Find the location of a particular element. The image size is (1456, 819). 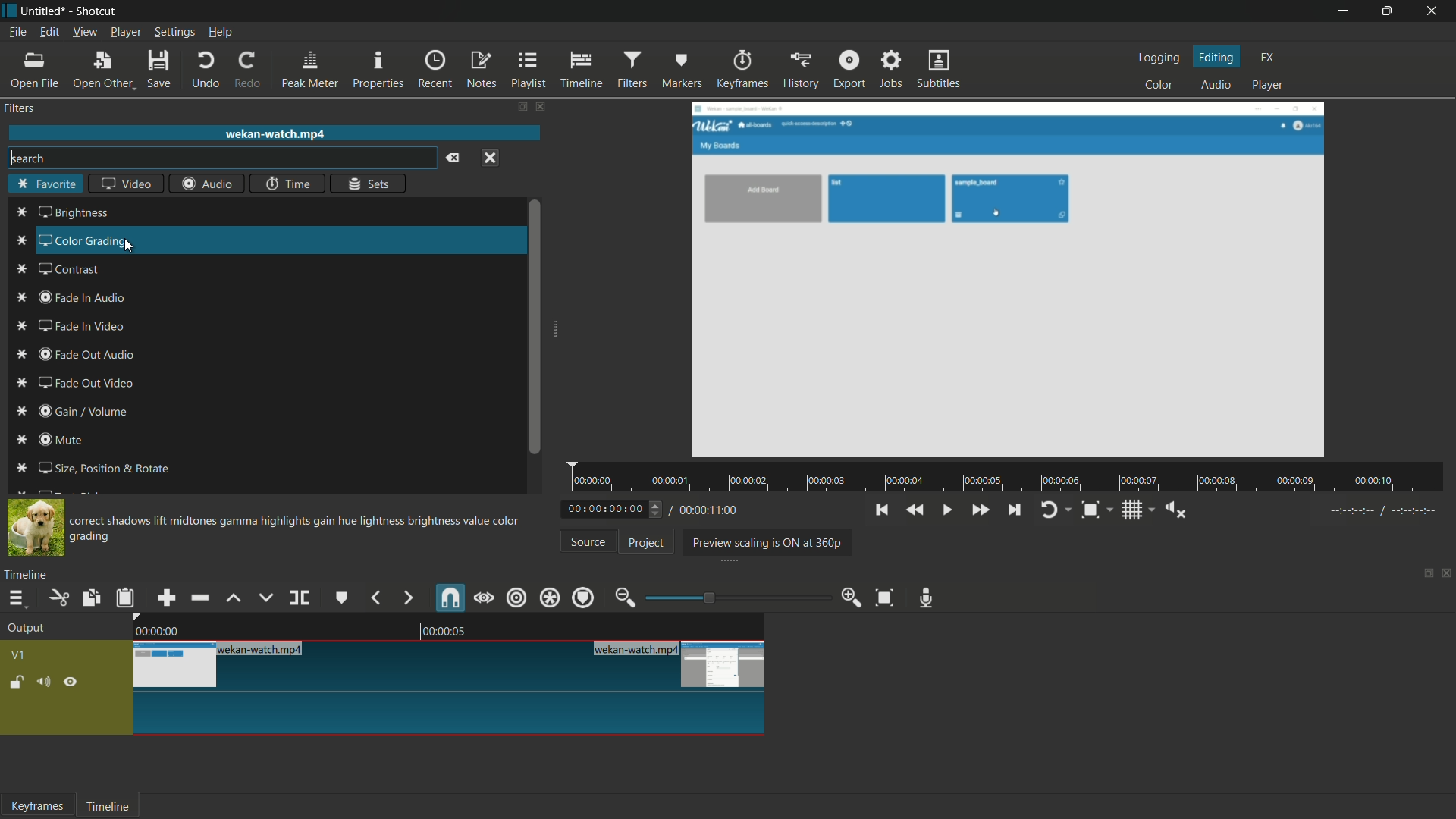

timeline is located at coordinates (110, 806).